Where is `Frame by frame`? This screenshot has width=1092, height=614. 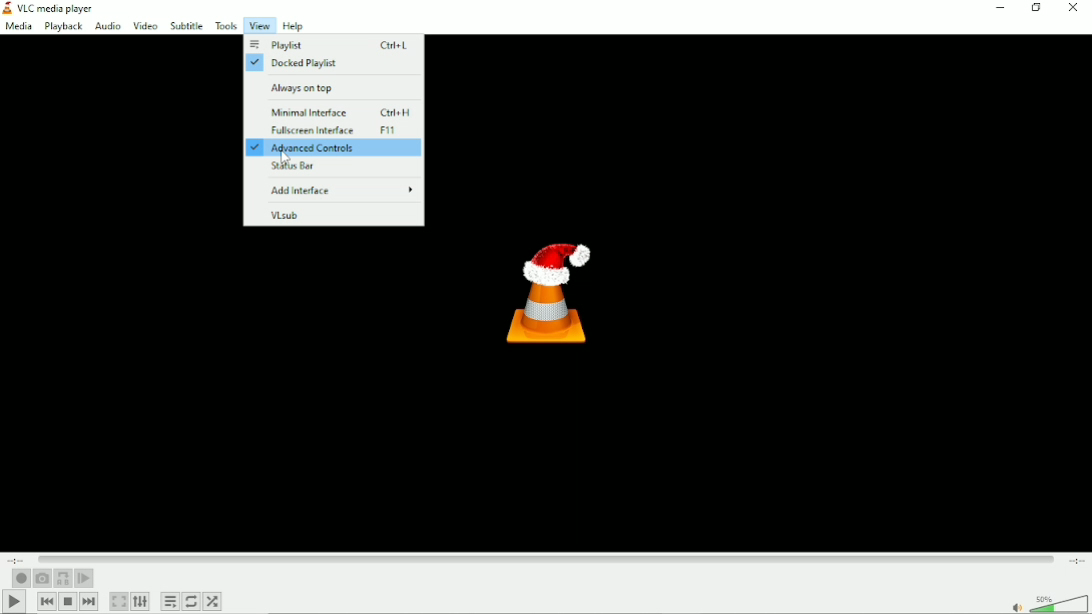 Frame by frame is located at coordinates (84, 579).